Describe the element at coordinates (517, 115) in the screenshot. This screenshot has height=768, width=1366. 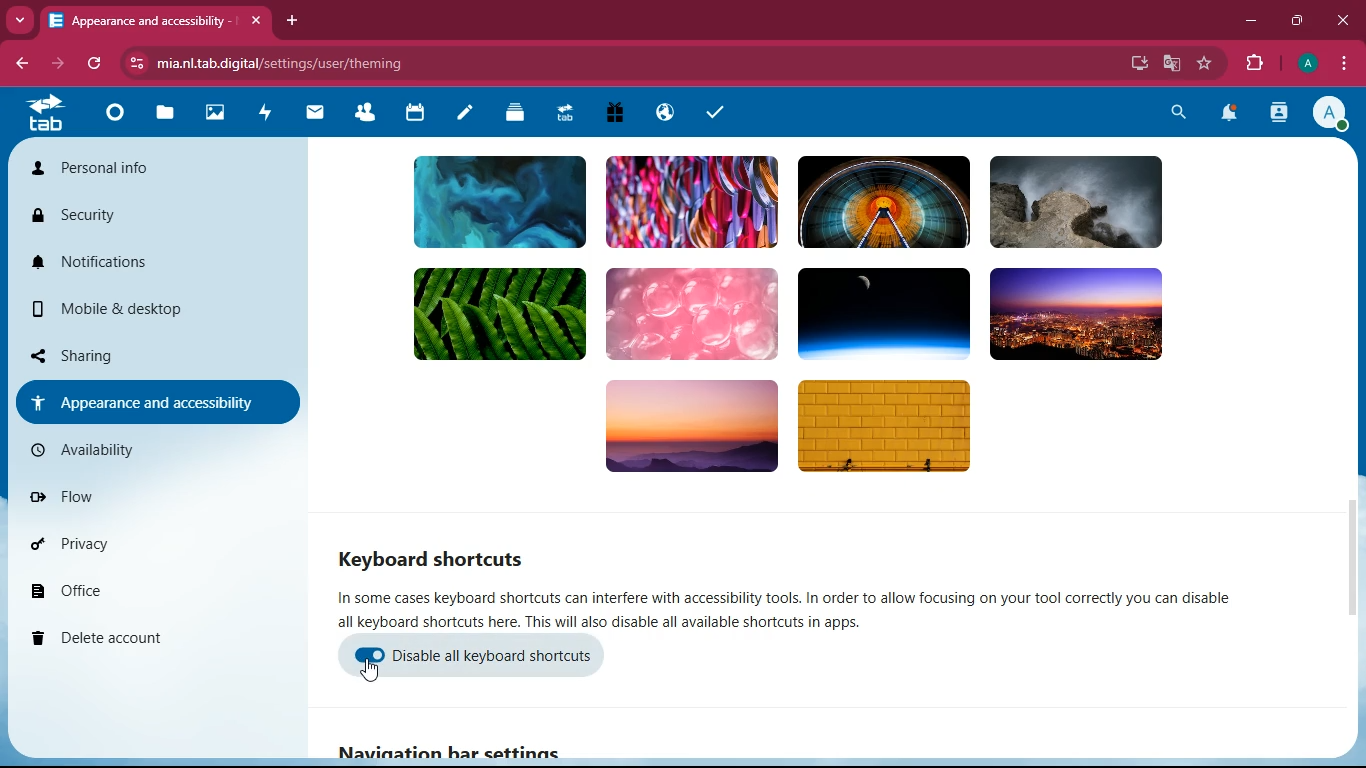
I see `layers` at that location.